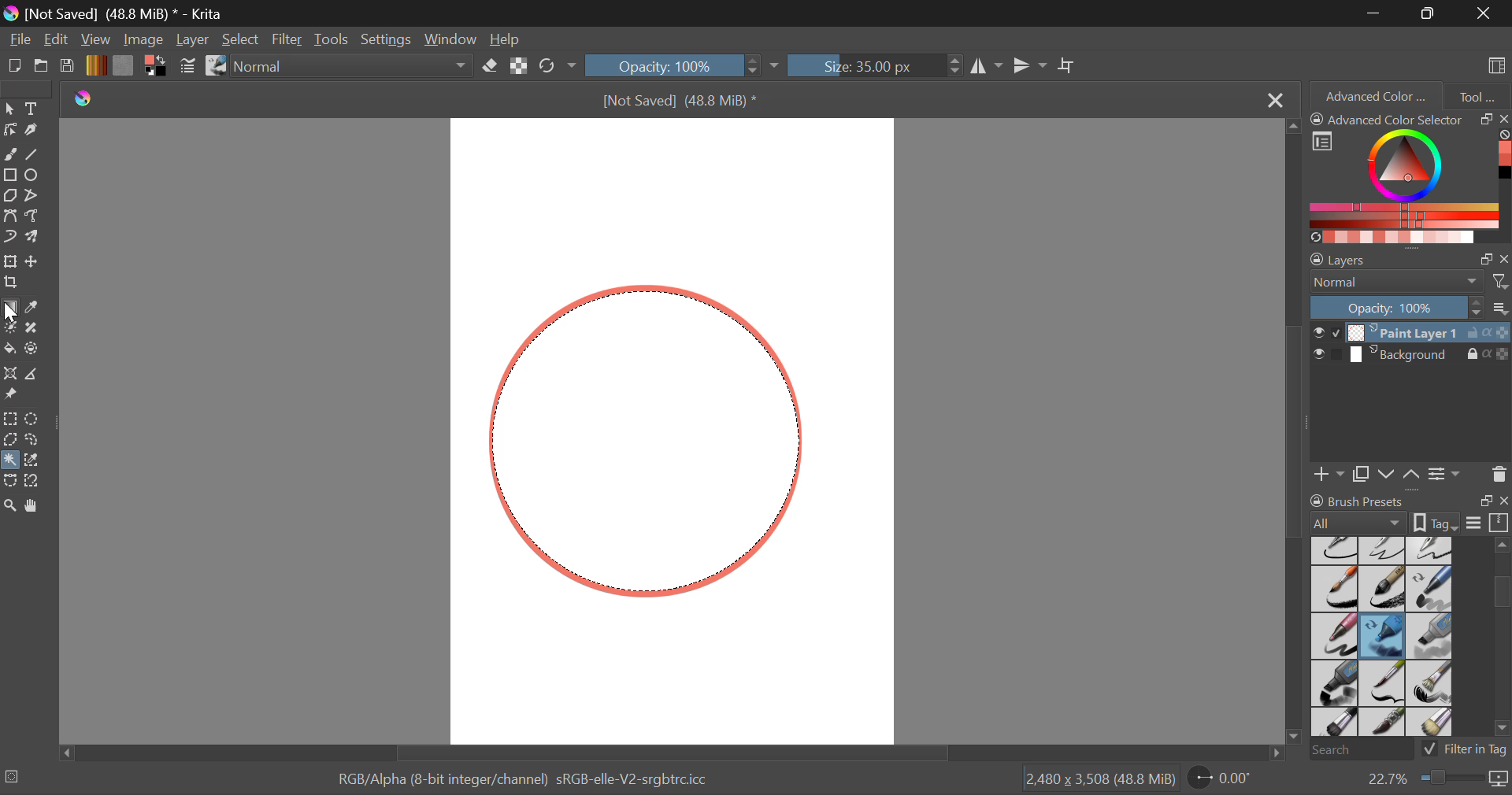  What do you see at coordinates (1374, 95) in the screenshot?
I see `Advanced Color Selector Tab Open` at bounding box center [1374, 95].